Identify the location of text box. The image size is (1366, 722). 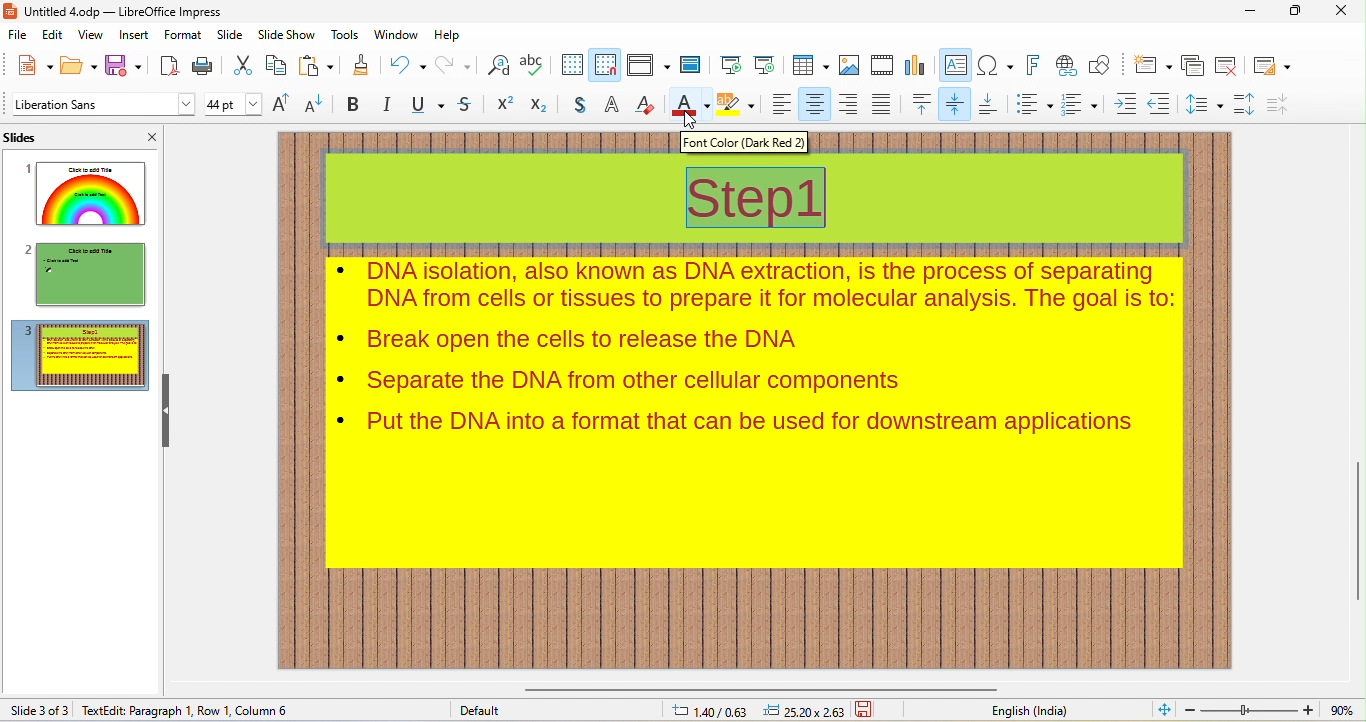
(955, 67).